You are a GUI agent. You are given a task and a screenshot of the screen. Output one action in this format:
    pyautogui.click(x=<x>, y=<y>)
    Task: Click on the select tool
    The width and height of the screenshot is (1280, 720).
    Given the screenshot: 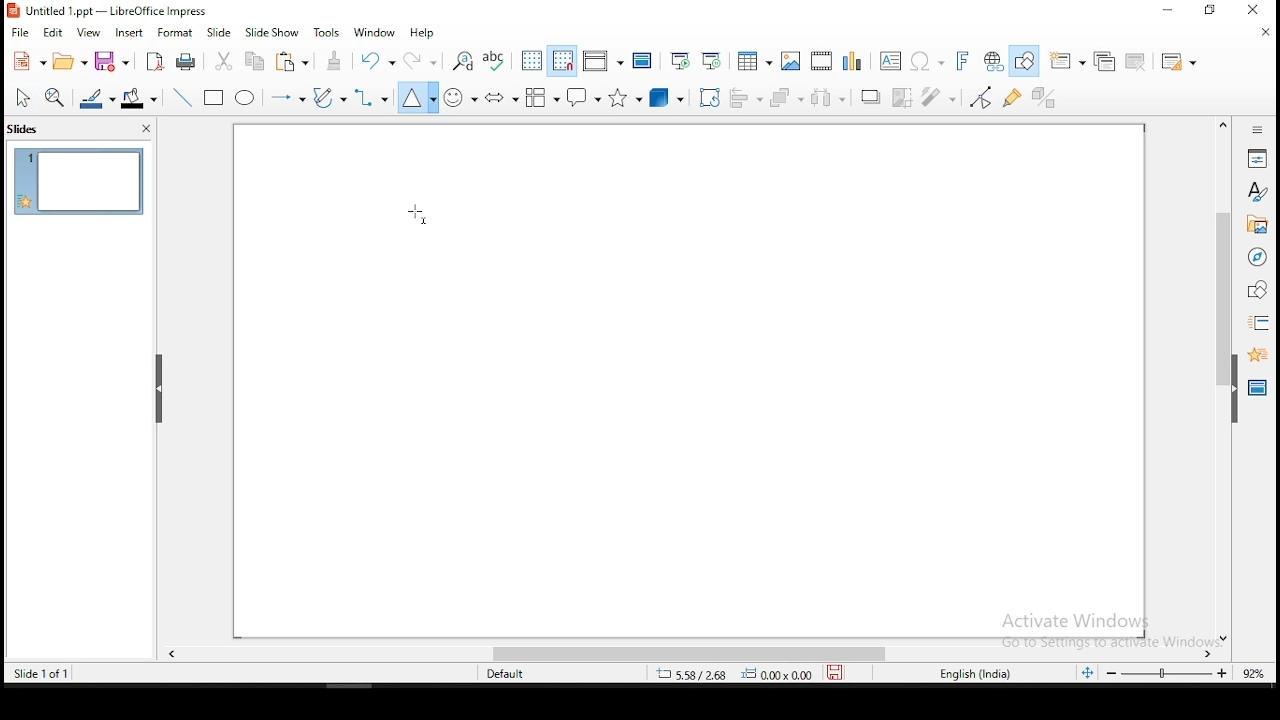 What is the action you would take?
    pyautogui.click(x=22, y=97)
    